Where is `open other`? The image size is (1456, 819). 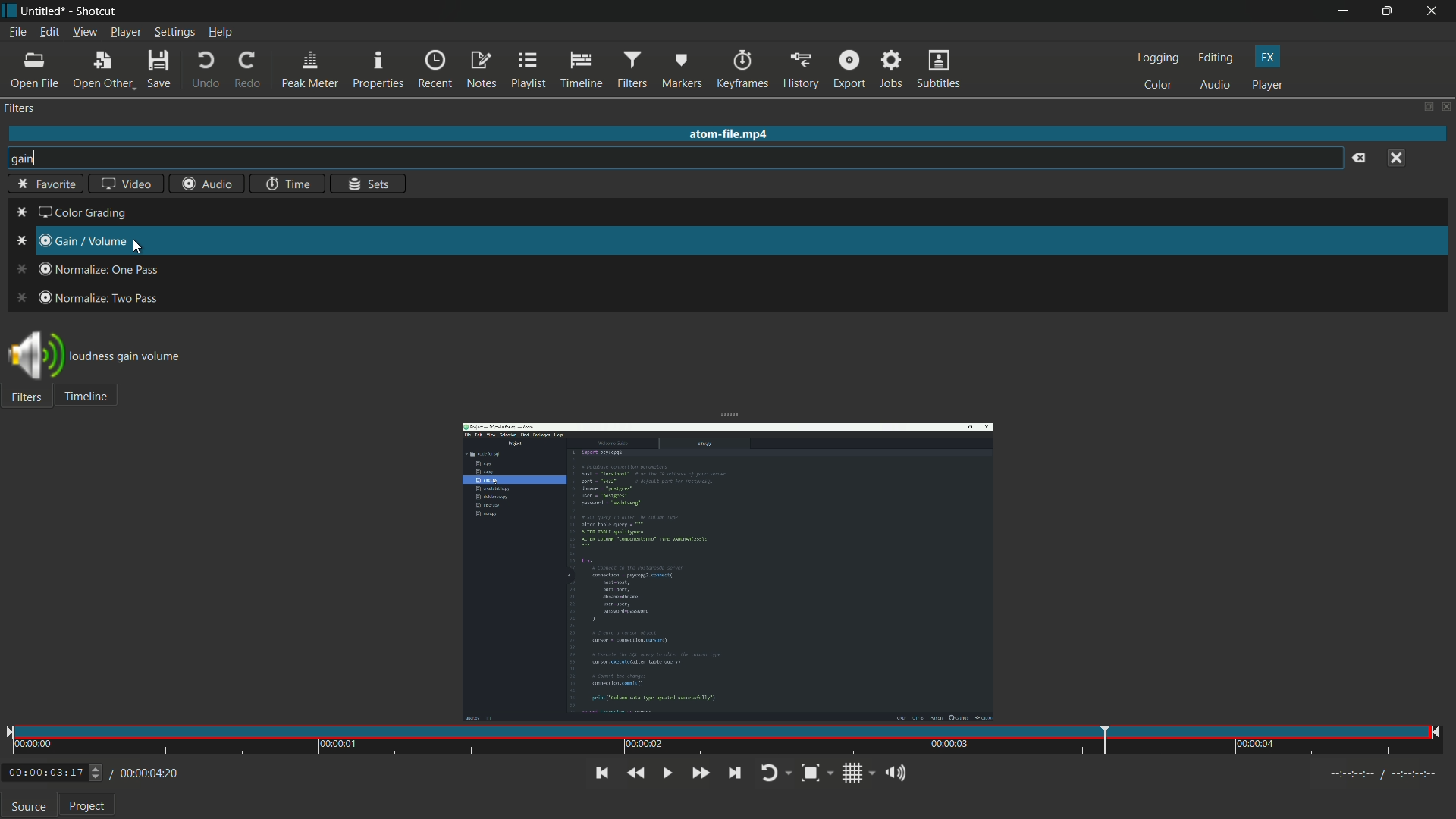
open other is located at coordinates (102, 71).